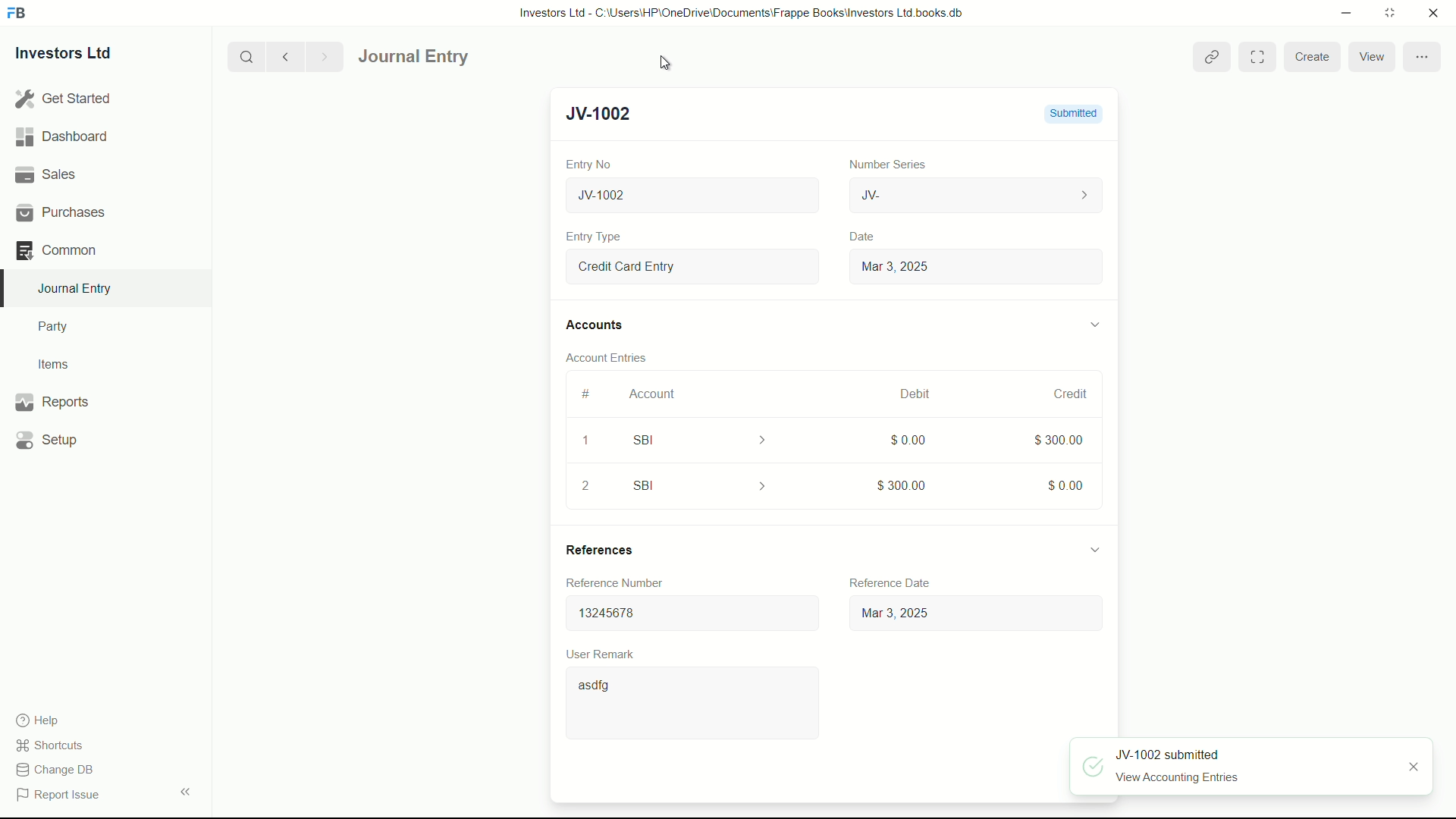 The image size is (1456, 819). Describe the element at coordinates (53, 745) in the screenshot. I see `shortcuts` at that location.